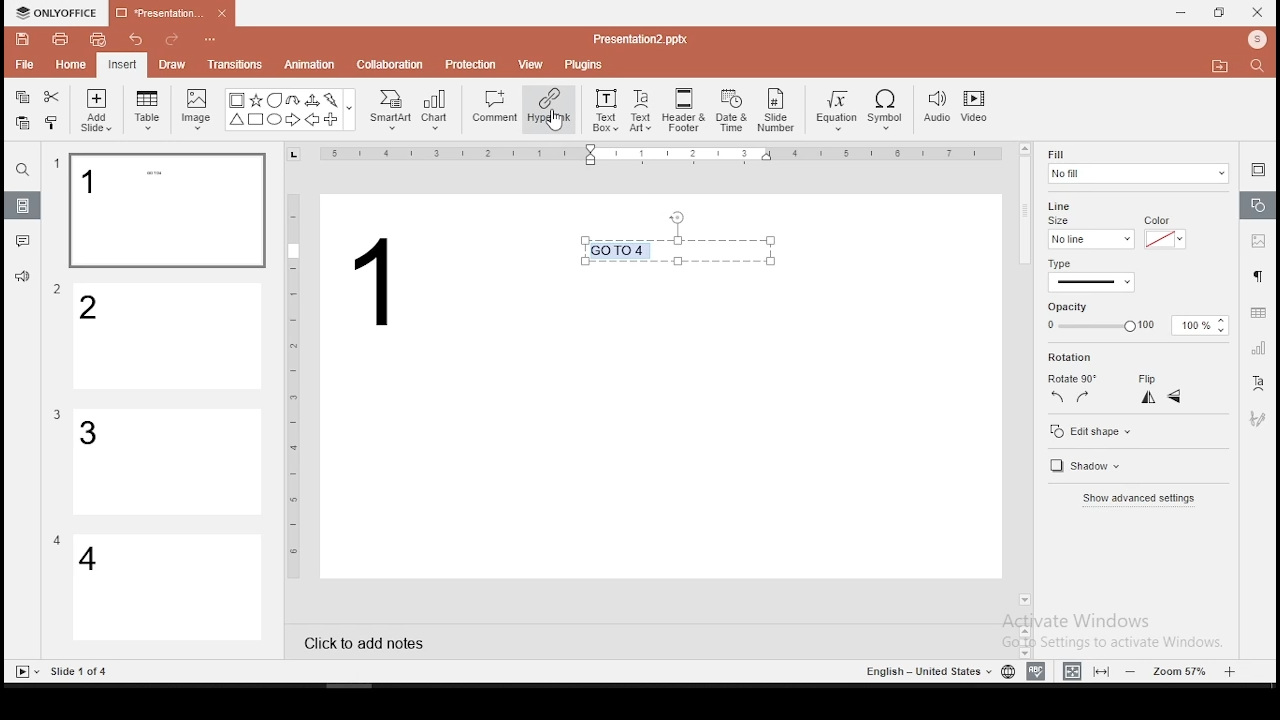 Image resolution: width=1280 pixels, height=720 pixels. Describe the element at coordinates (548, 108) in the screenshot. I see `hyperlink` at that location.